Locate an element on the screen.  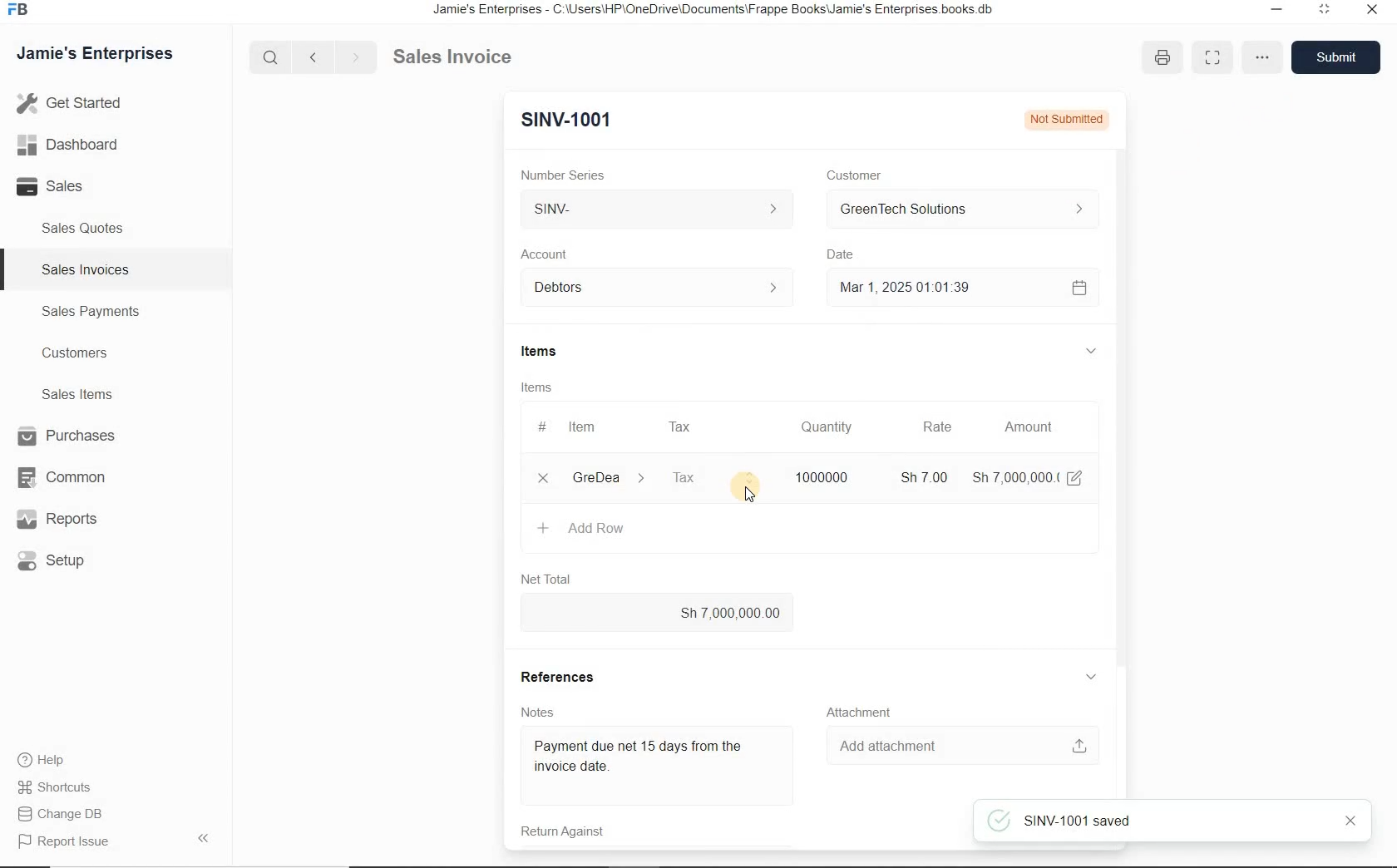
Items is located at coordinates (535, 353).